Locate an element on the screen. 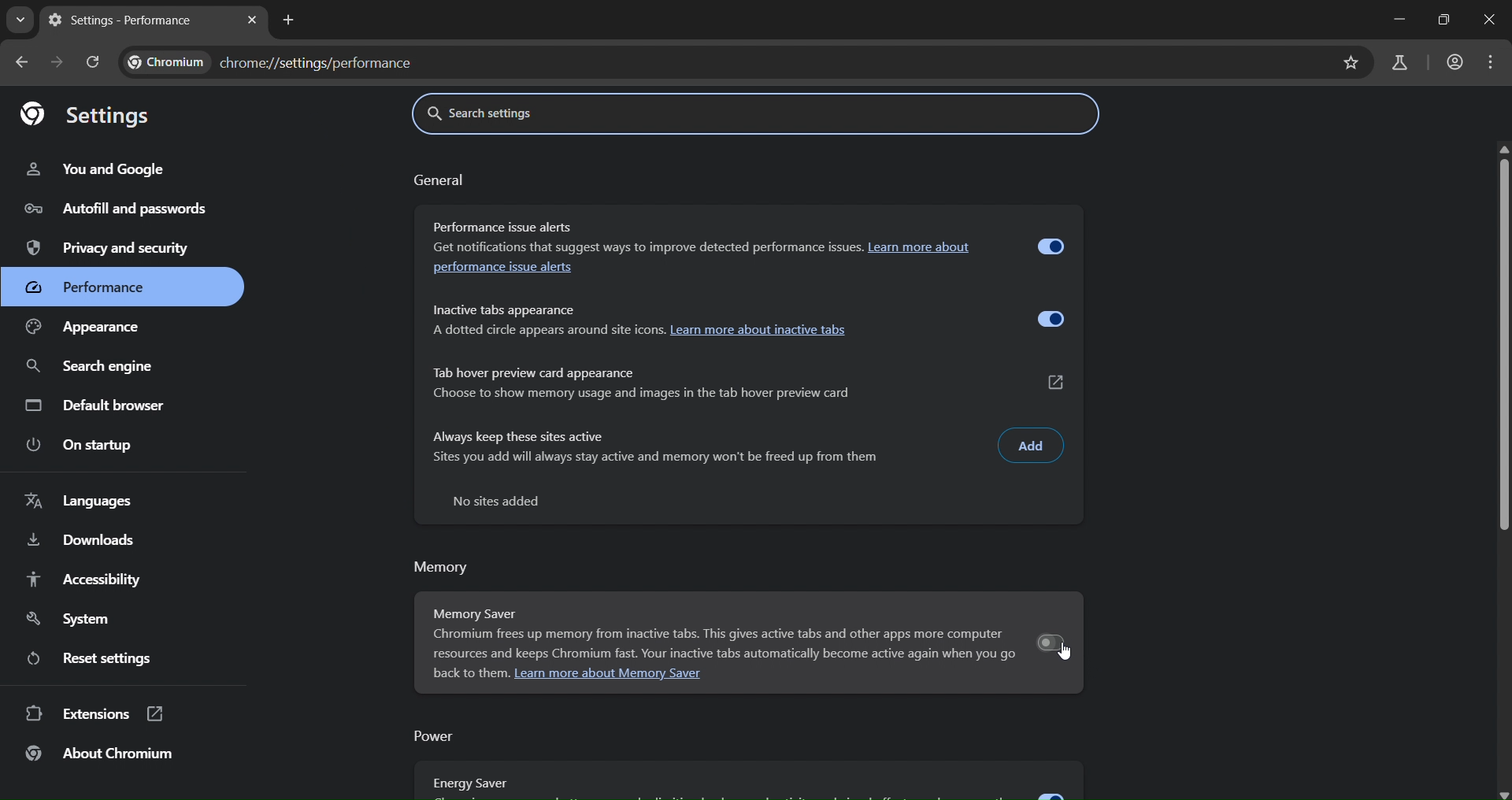 The height and width of the screenshot is (800, 1512). Memory Saver Chrome frees up memory from inactive tabs. This gives active tabs and other apps more computer resources and keeps Chrome fast. Your inactive tabs automatically become active again when you go back to them. Learn more is located at coordinates (717, 642).